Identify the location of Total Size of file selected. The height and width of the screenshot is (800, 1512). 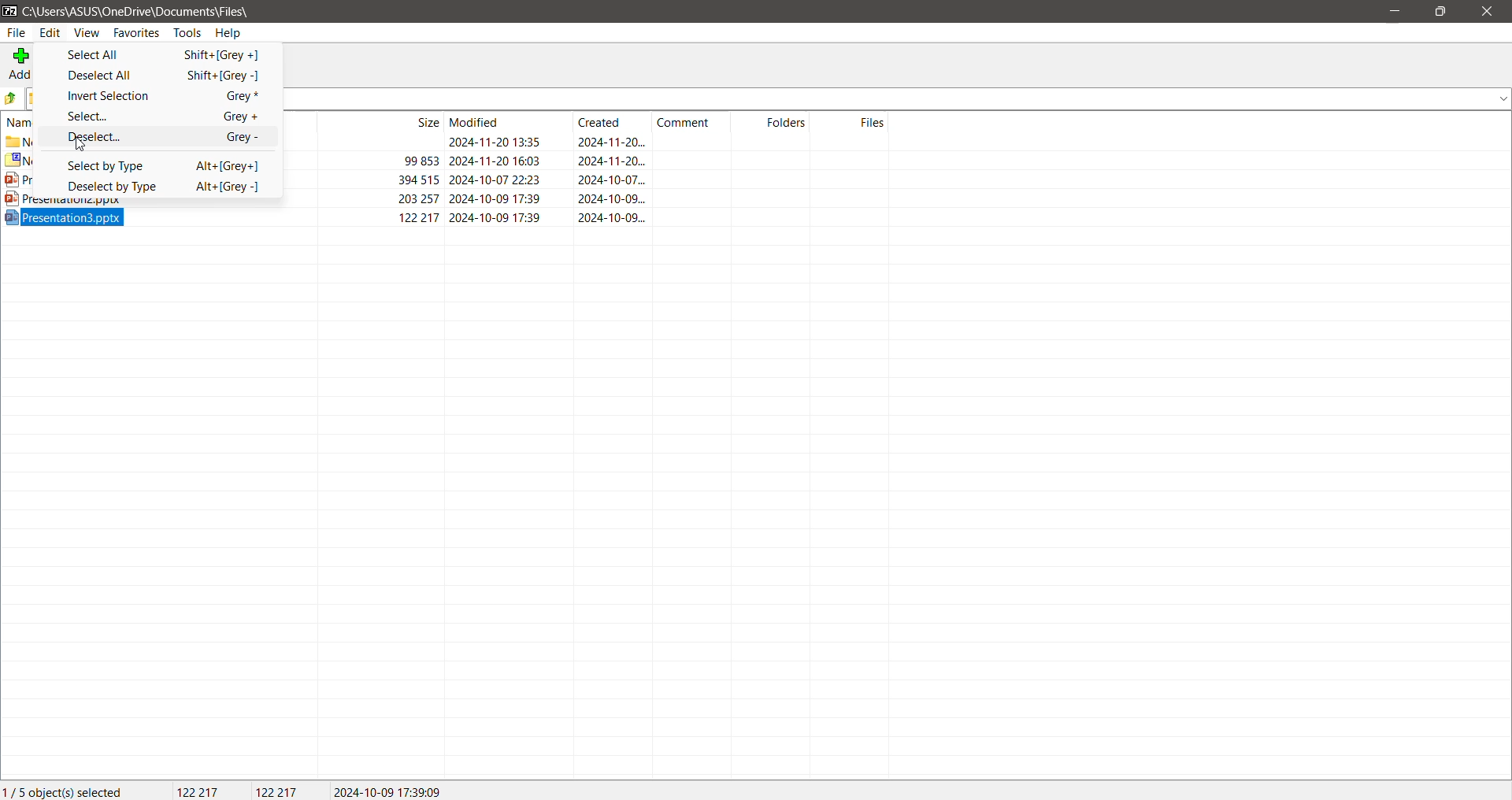
(190, 791).